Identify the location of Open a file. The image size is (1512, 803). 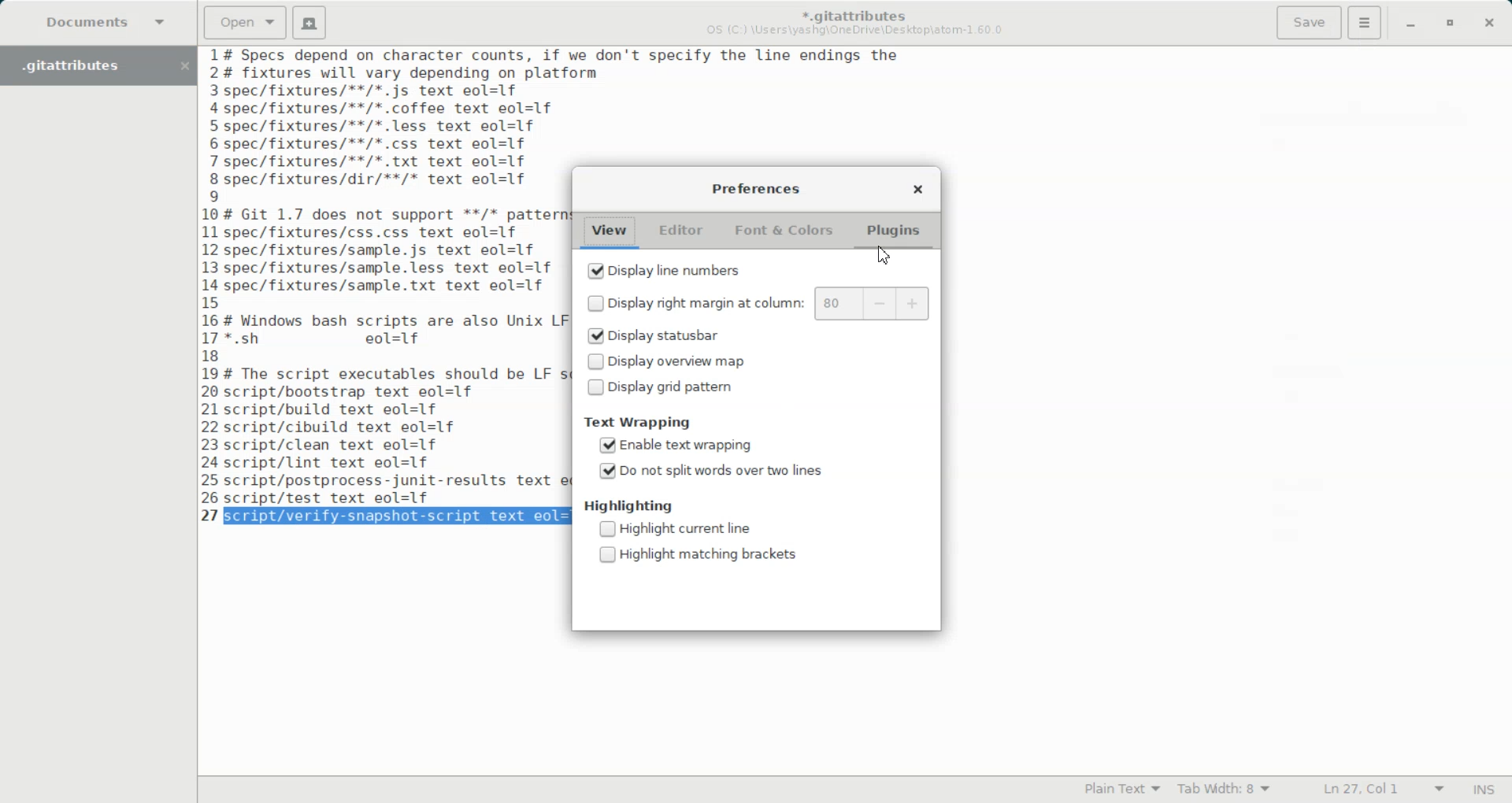
(245, 21).